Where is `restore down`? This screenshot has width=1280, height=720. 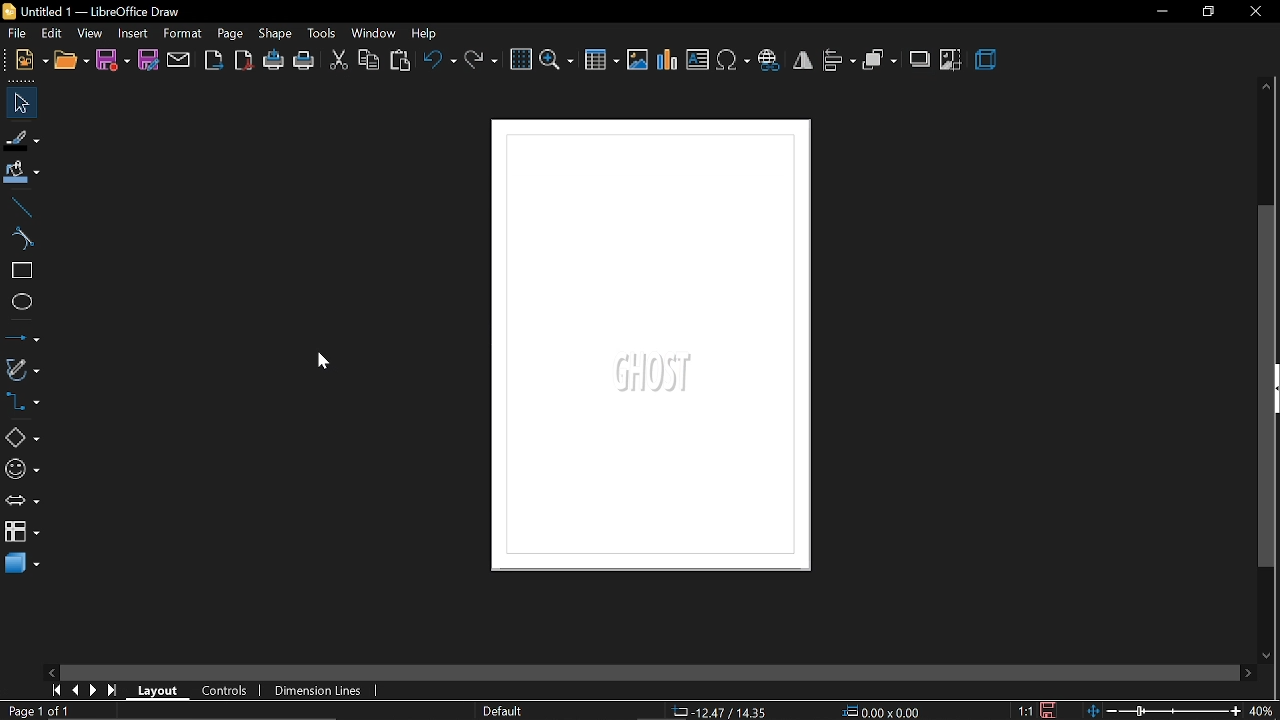 restore down is located at coordinates (1207, 12).